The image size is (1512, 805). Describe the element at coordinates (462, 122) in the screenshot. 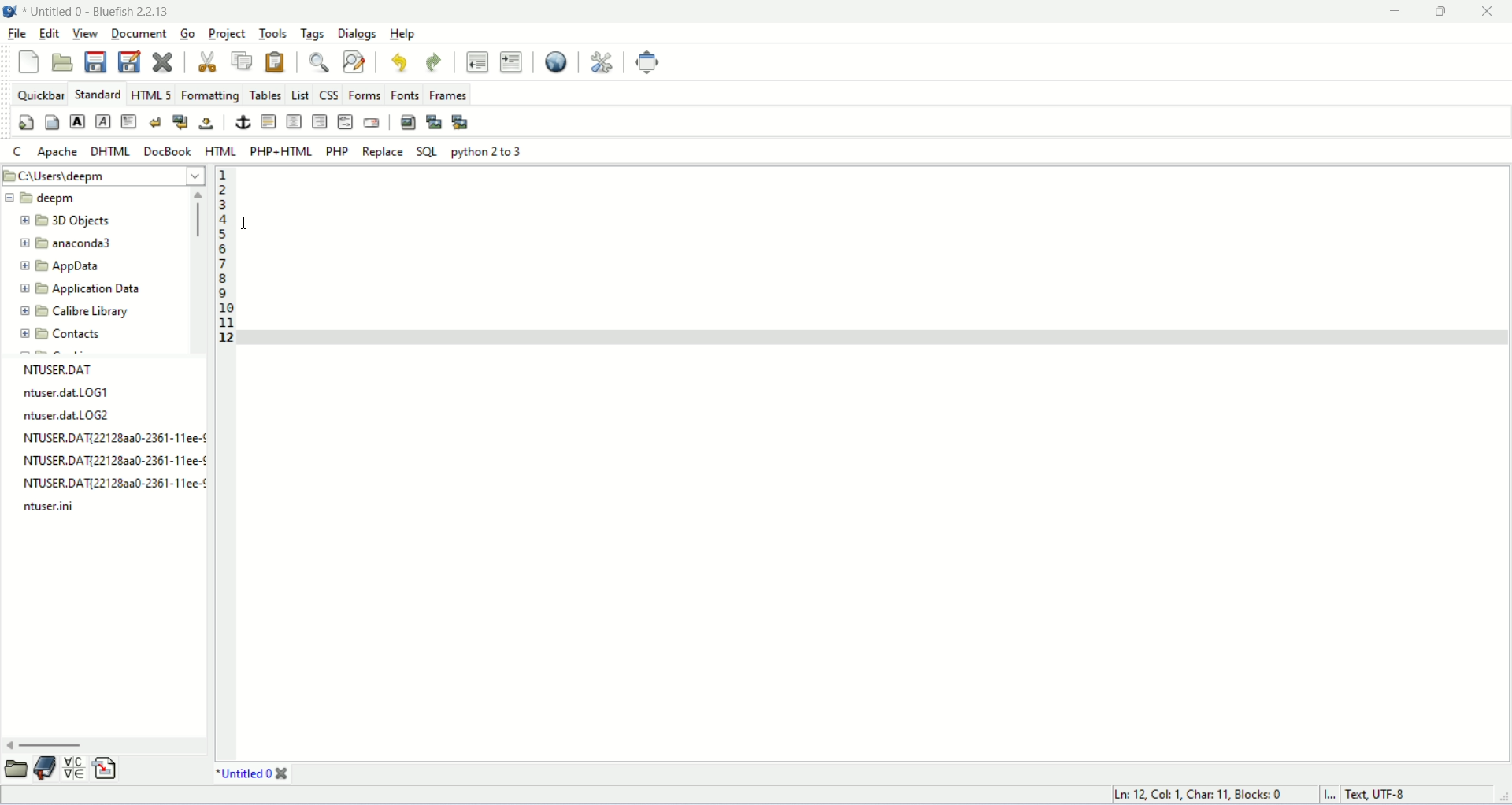

I see `multi thumbnail` at that location.